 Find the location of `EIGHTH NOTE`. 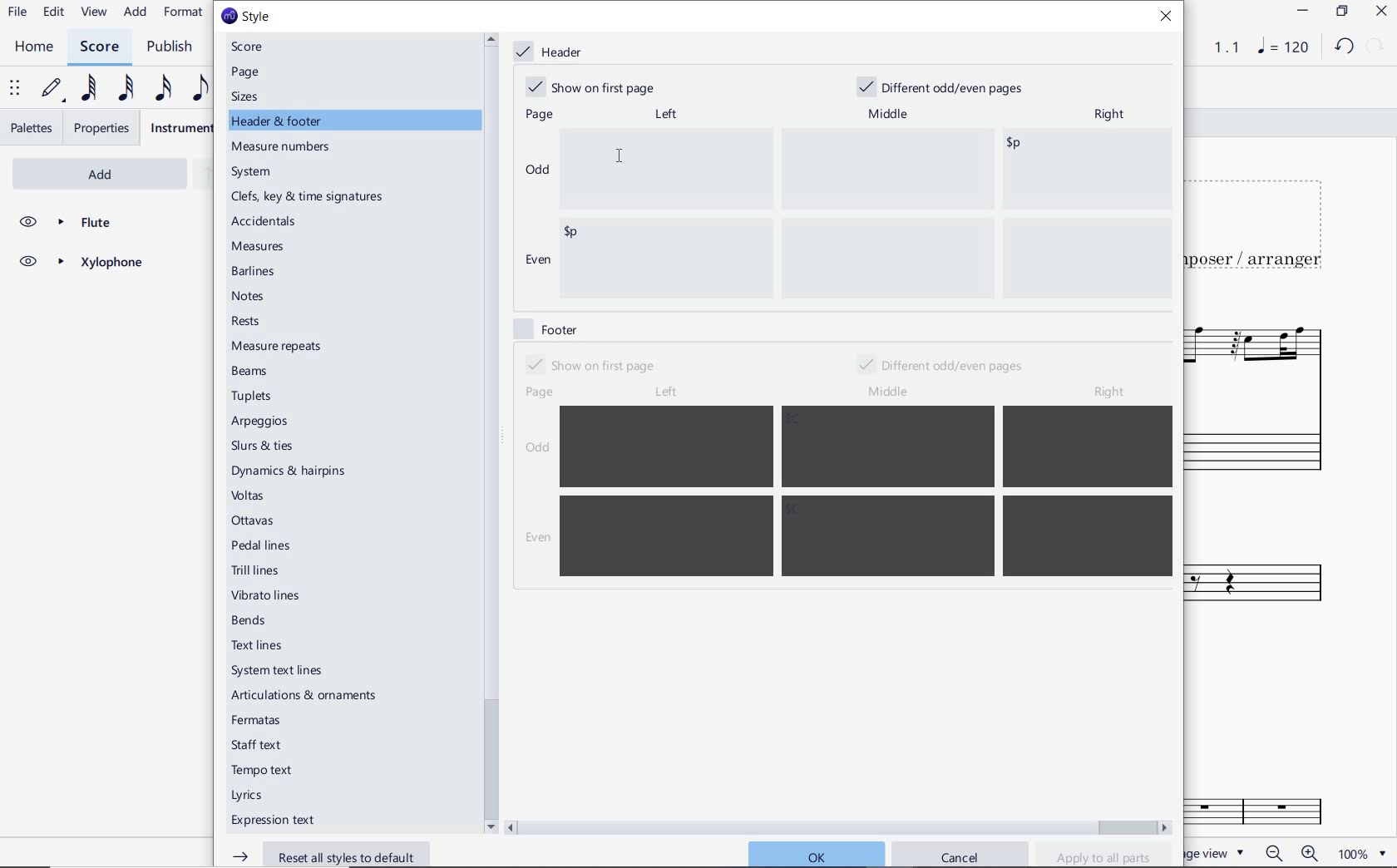

EIGHTH NOTE is located at coordinates (200, 87).